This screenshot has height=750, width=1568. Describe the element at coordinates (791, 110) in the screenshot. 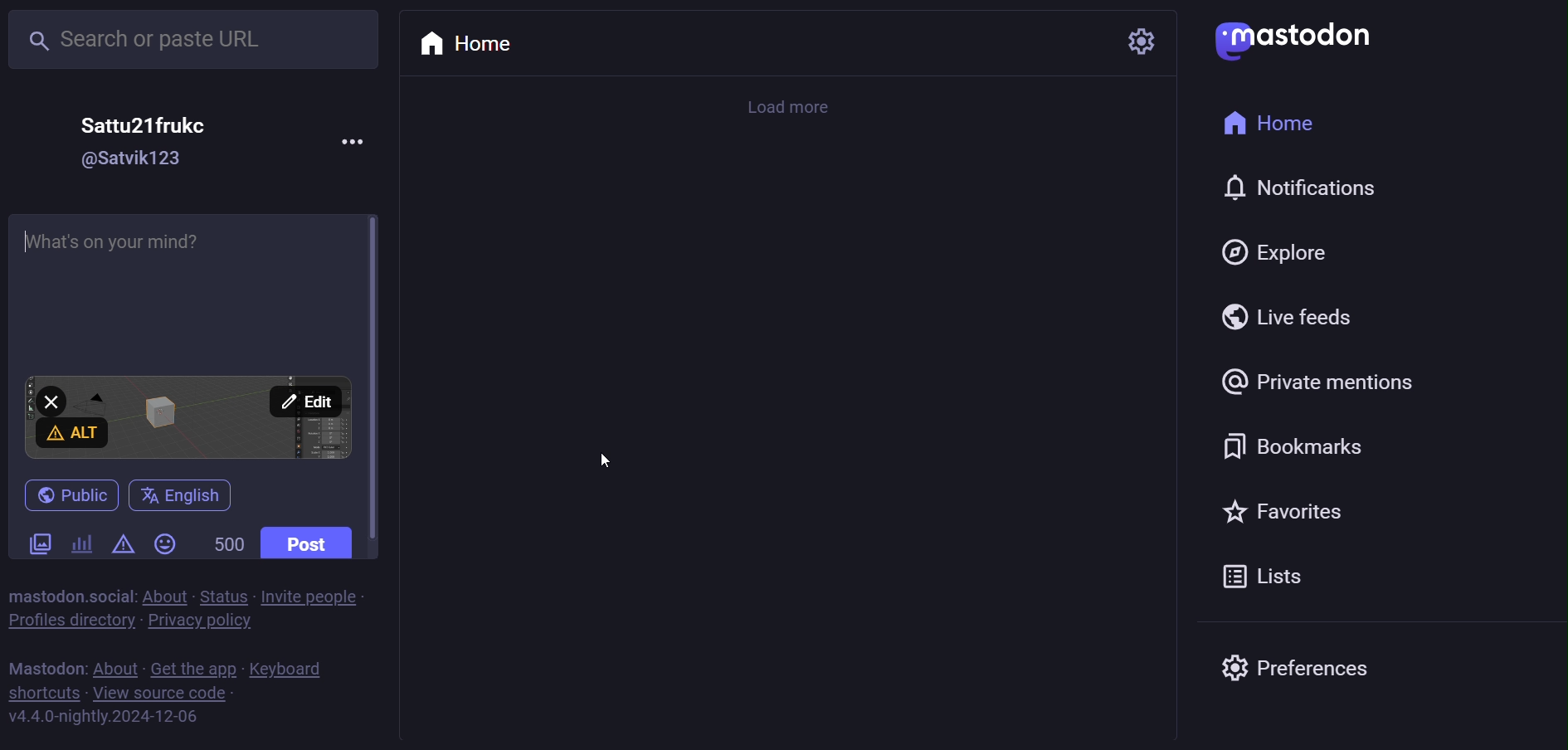

I see `load more` at that location.